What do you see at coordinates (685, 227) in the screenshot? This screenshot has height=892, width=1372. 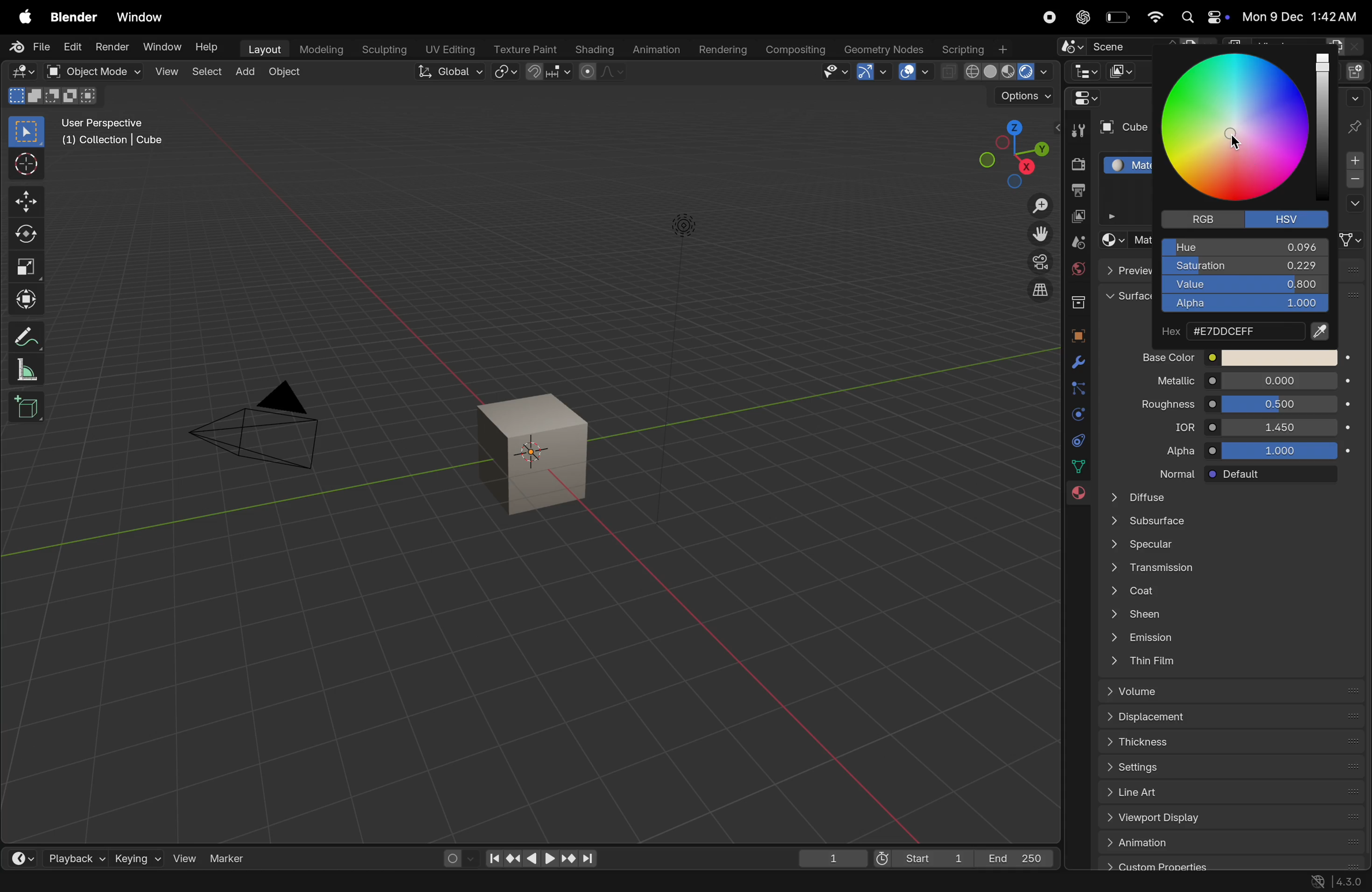 I see `Lights` at bounding box center [685, 227].